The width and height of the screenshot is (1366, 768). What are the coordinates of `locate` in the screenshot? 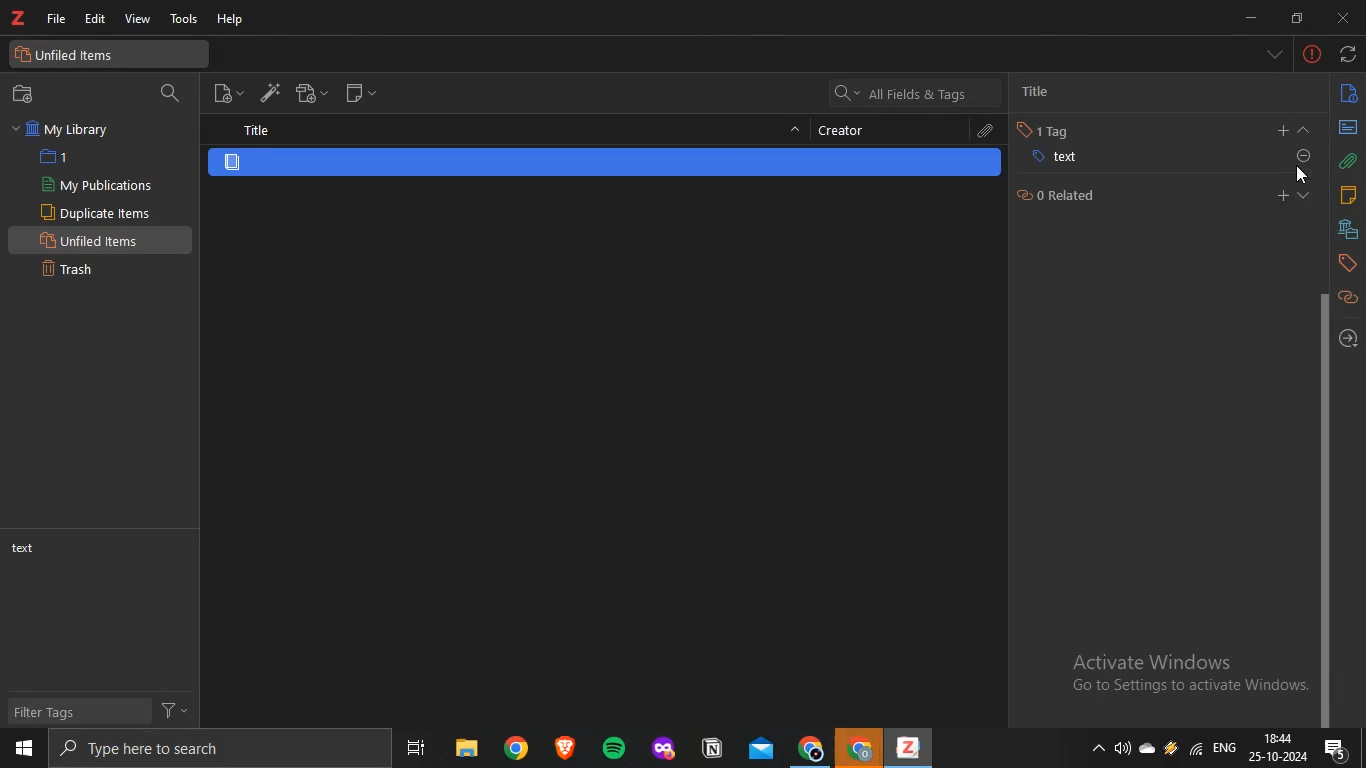 It's located at (1348, 337).